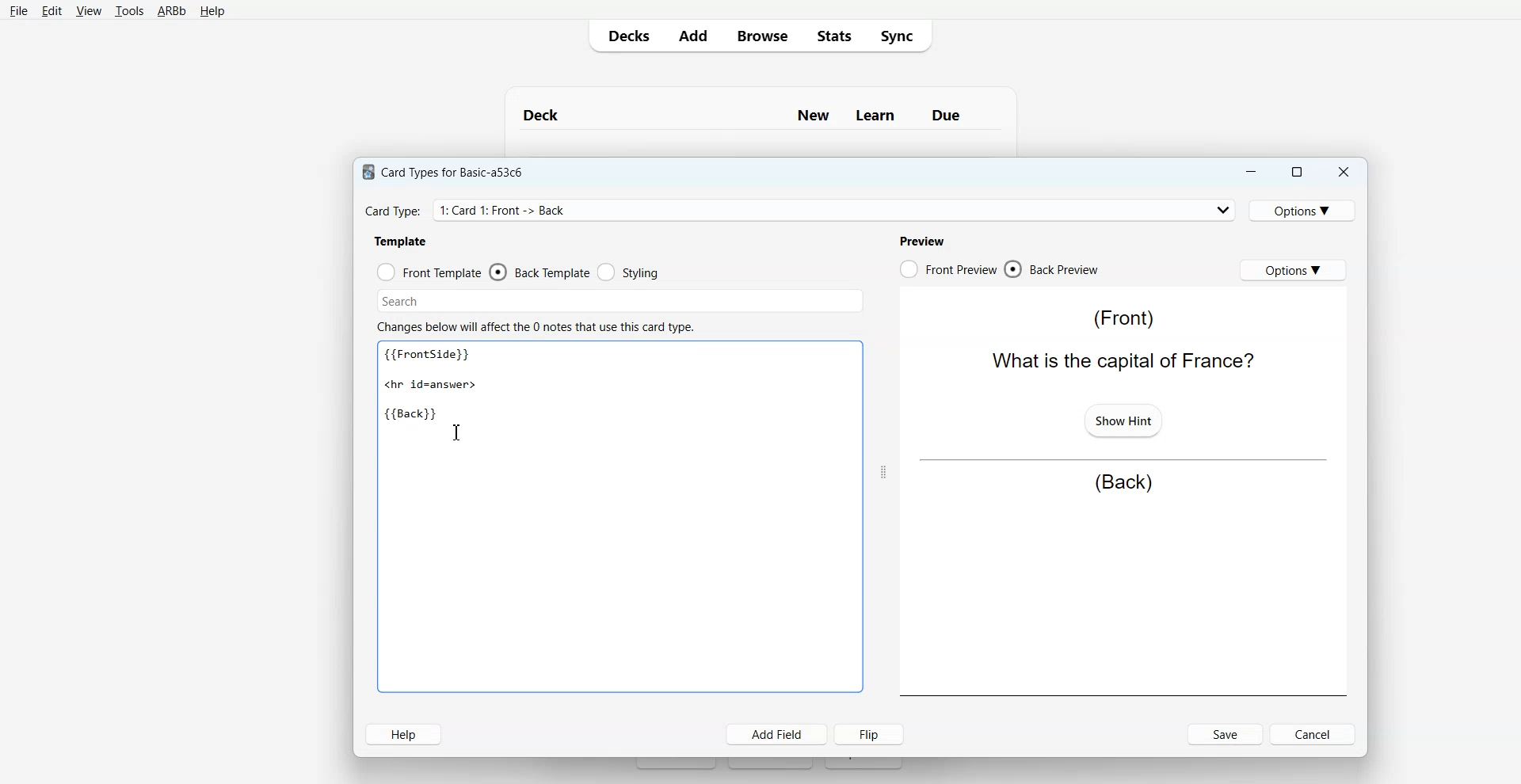 Image resolution: width=1521 pixels, height=784 pixels. What do you see at coordinates (1122, 419) in the screenshot?
I see `Show Hint` at bounding box center [1122, 419].